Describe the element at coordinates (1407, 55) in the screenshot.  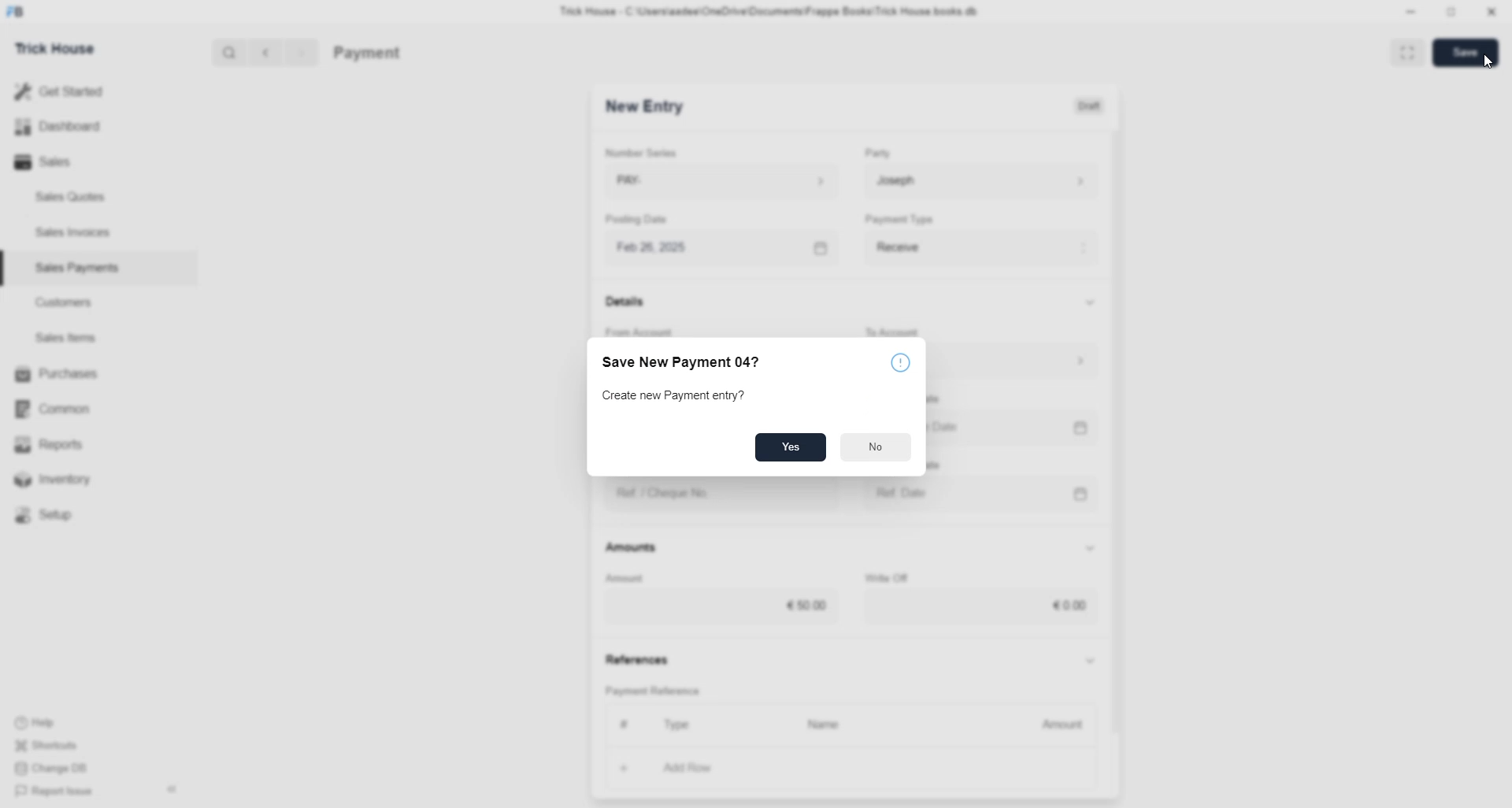
I see `Toggle between form and full width` at that location.